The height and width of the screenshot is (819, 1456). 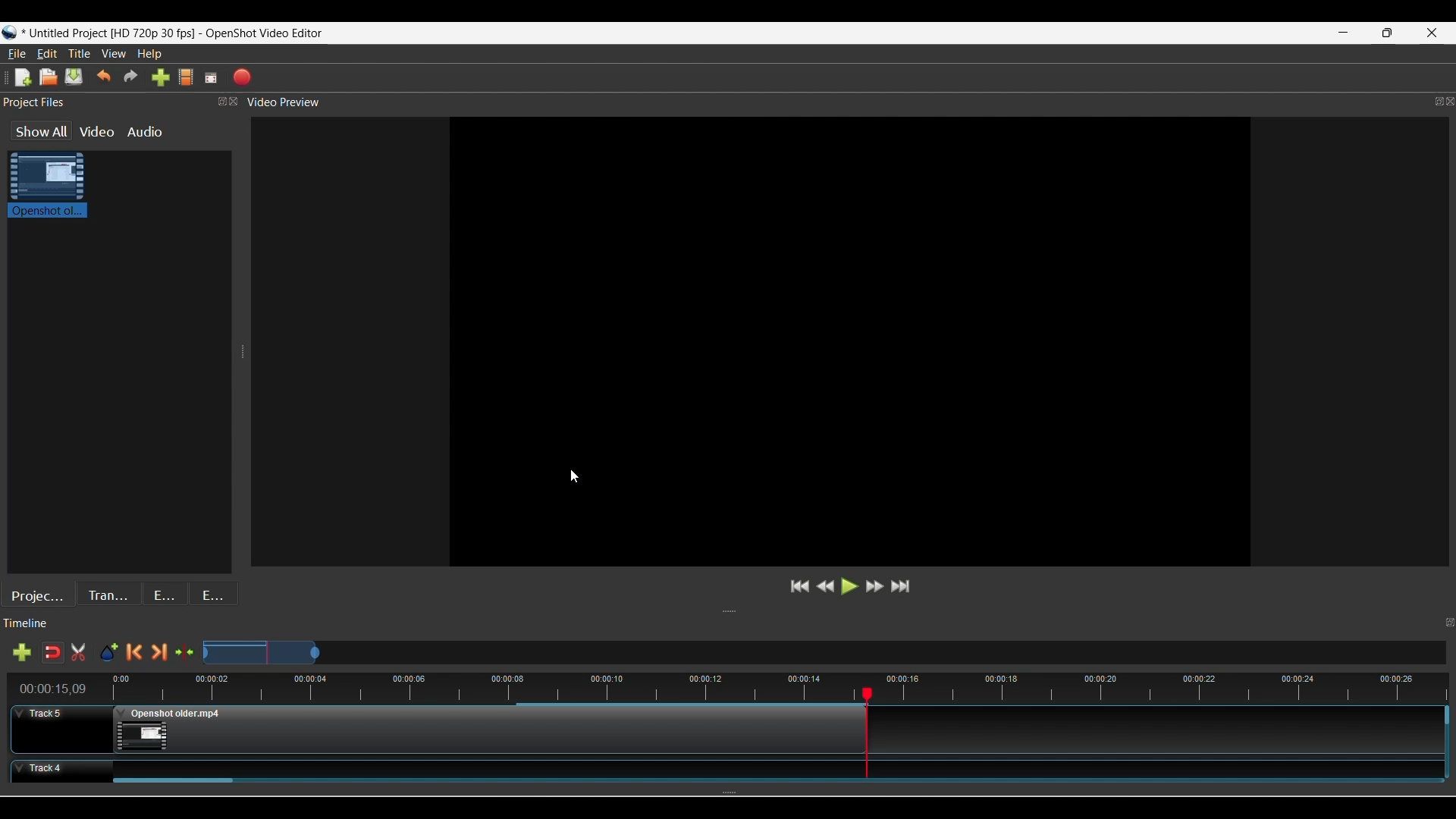 I want to click on Cursor clicking on File, so click(x=20, y=59).